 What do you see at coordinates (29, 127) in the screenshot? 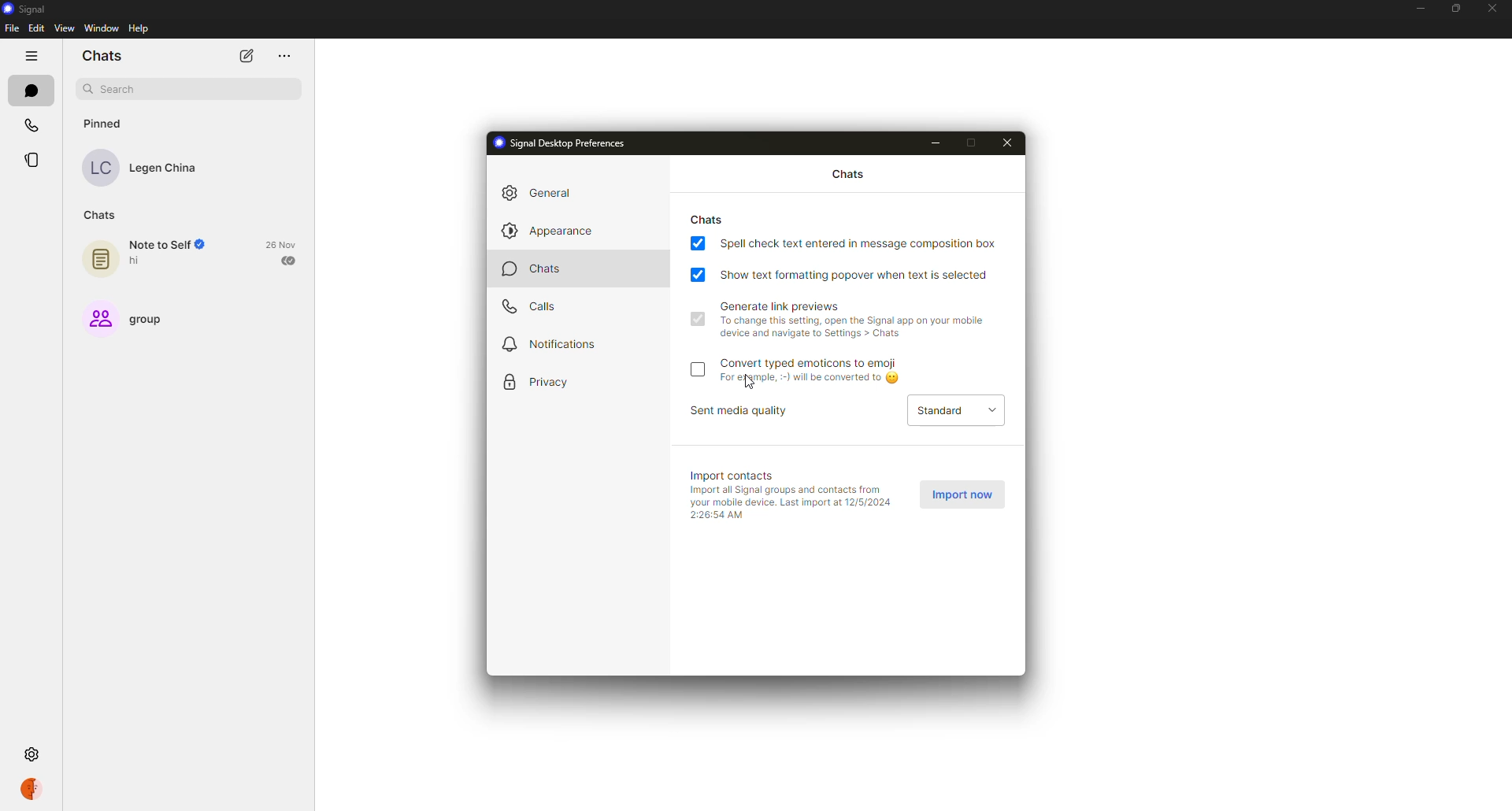
I see `calls` at bounding box center [29, 127].